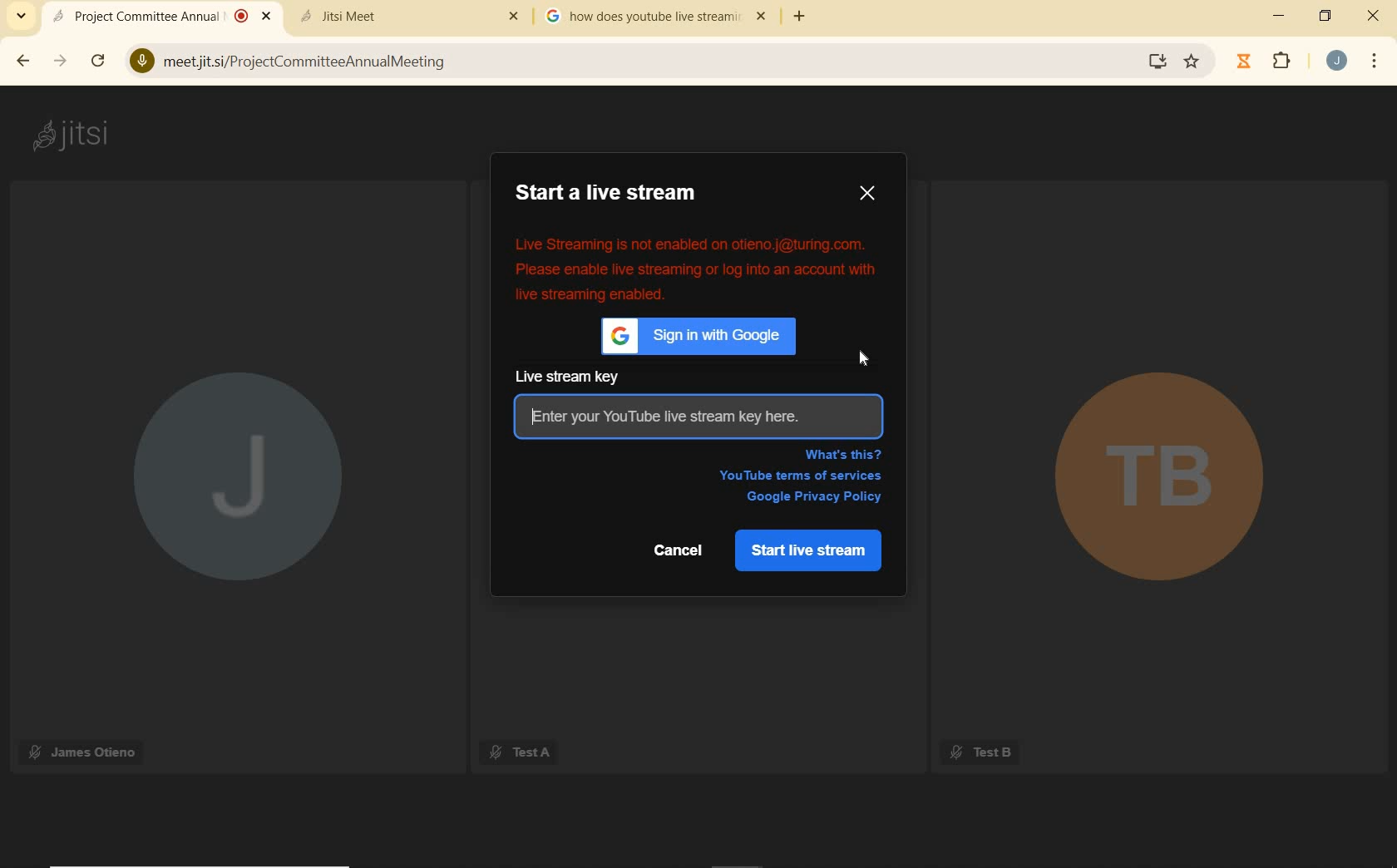  I want to click on reload, so click(103, 63).